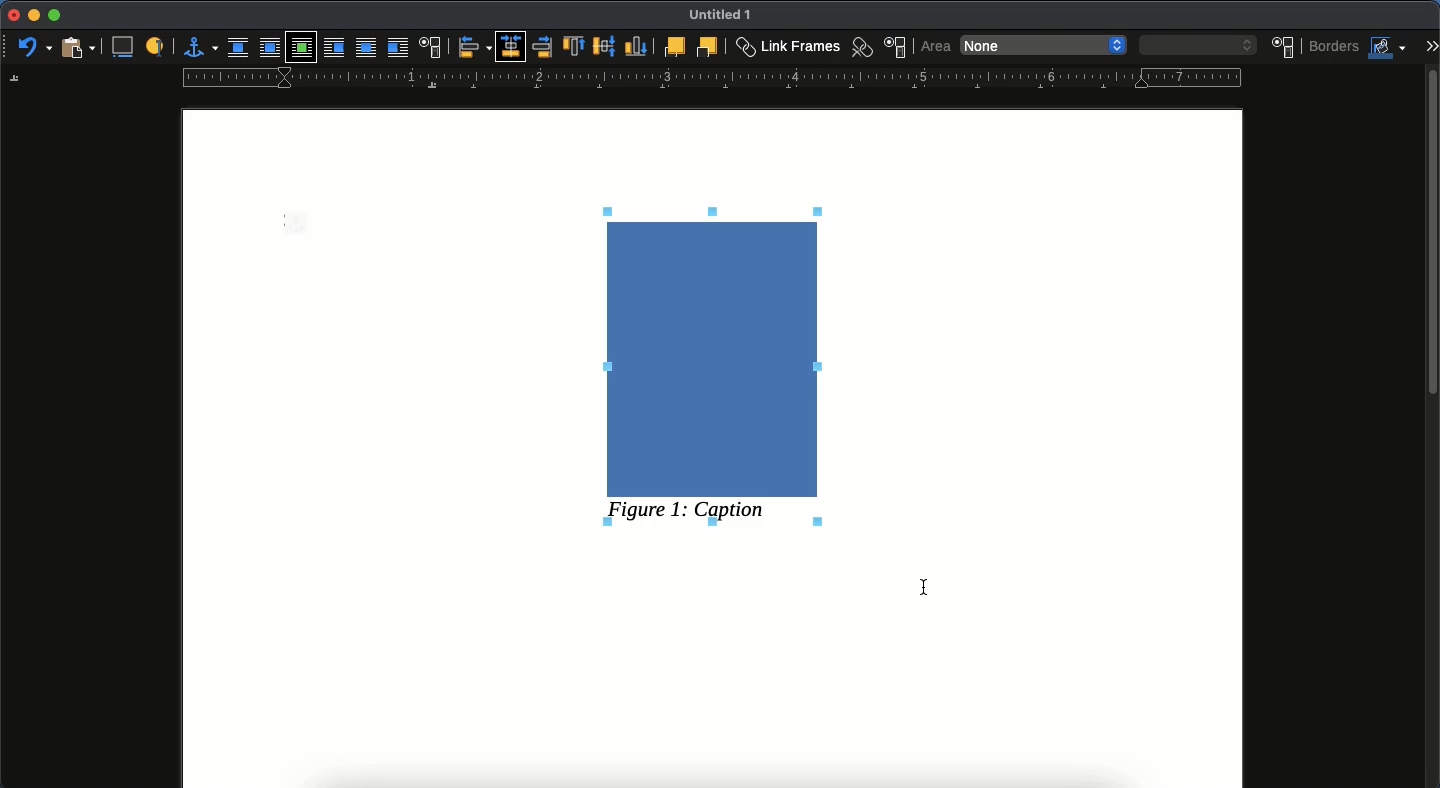 The height and width of the screenshot is (788, 1440). I want to click on area, so click(937, 46).